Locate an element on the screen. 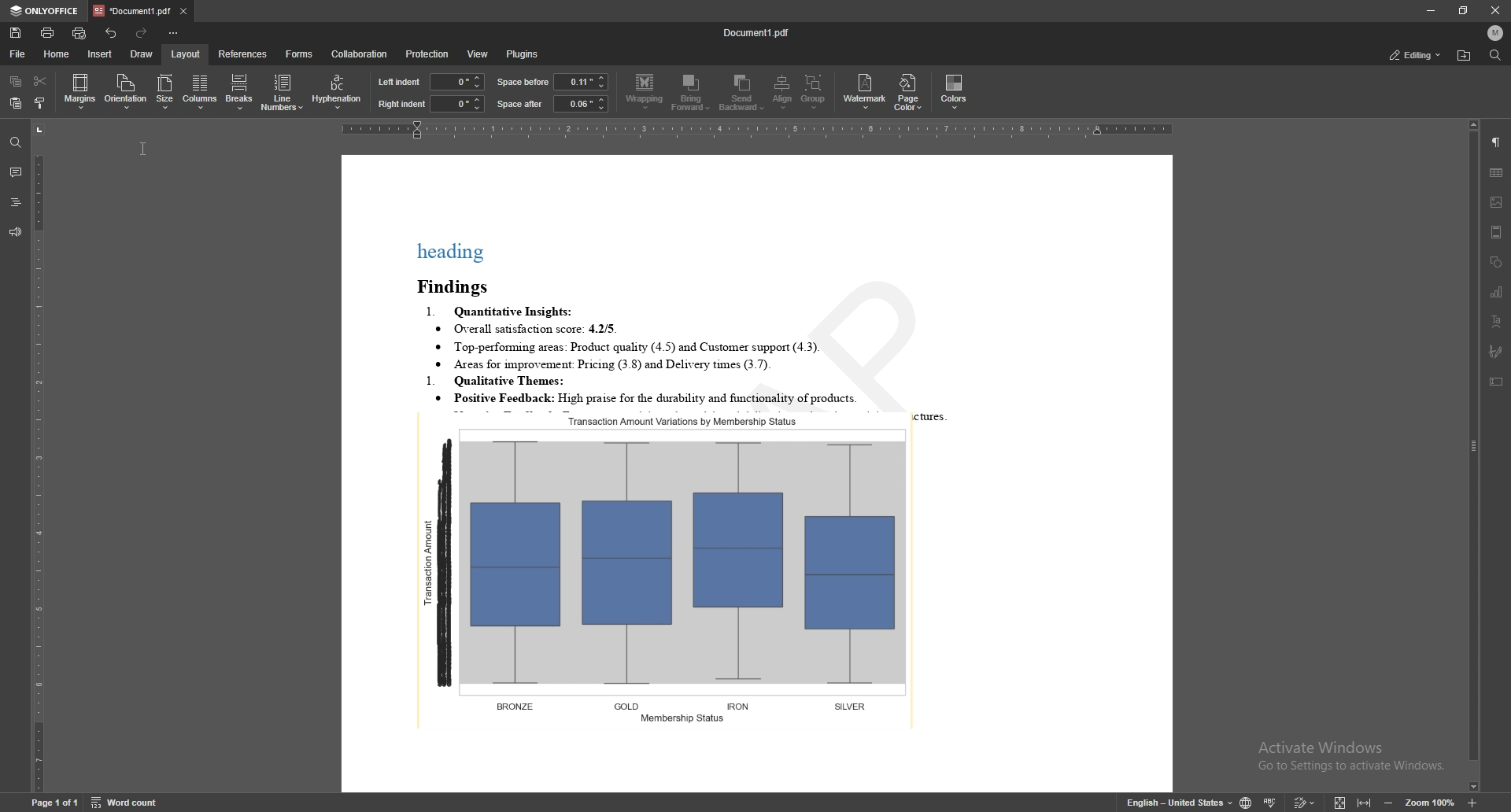  paste is located at coordinates (13, 103).